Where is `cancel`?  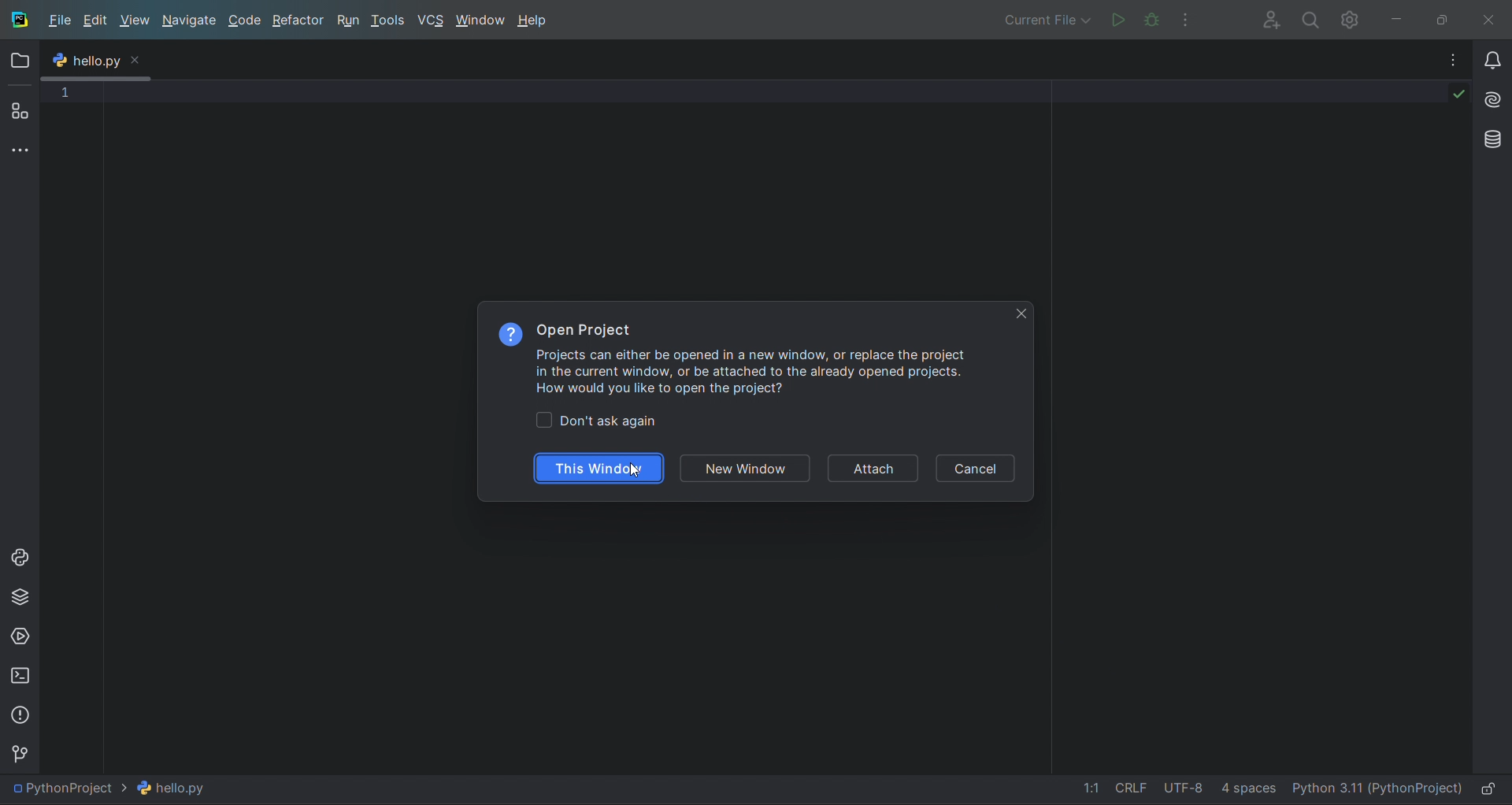 cancel is located at coordinates (973, 469).